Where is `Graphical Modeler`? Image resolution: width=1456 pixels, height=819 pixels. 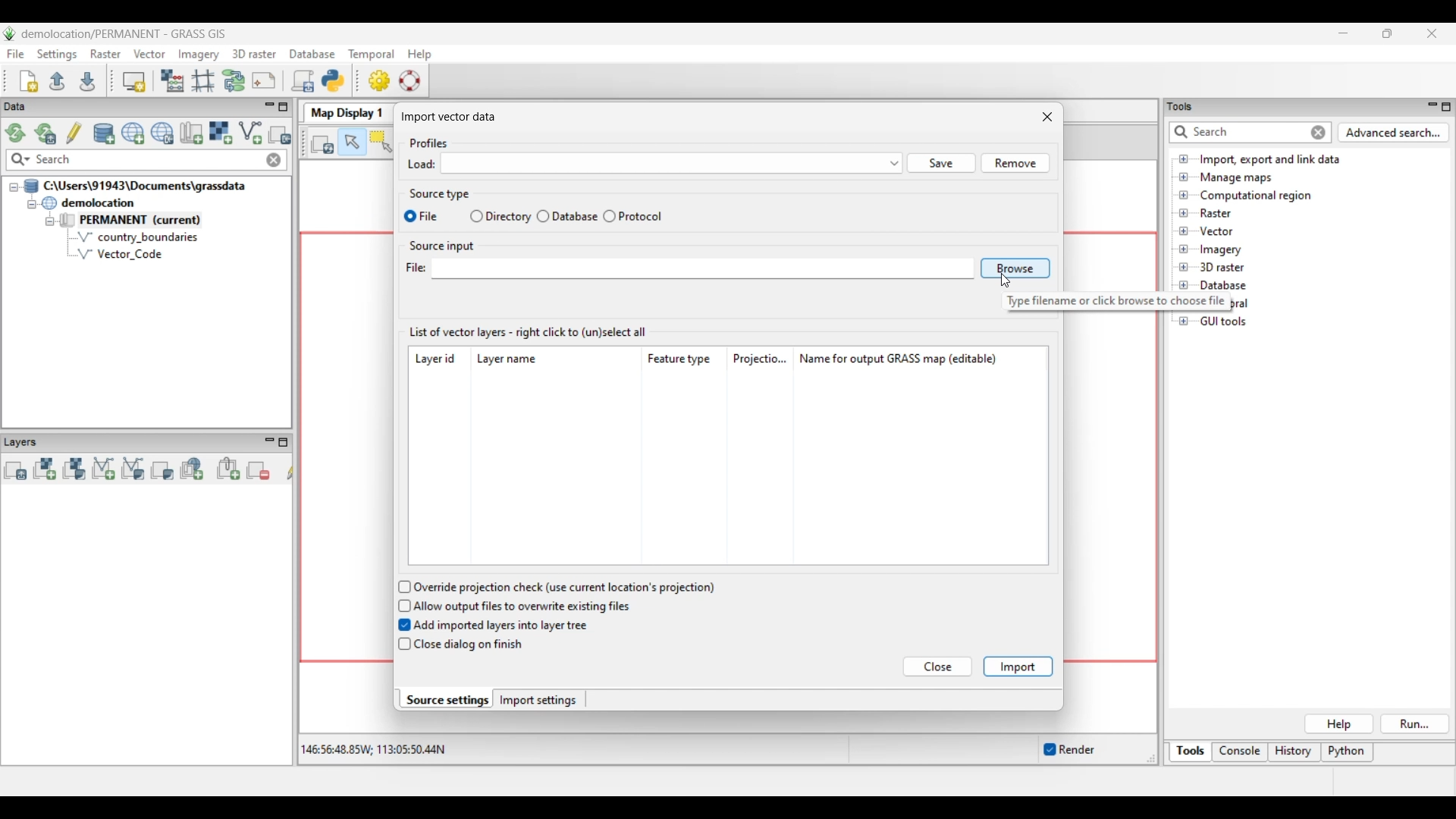 Graphical Modeler is located at coordinates (234, 80).